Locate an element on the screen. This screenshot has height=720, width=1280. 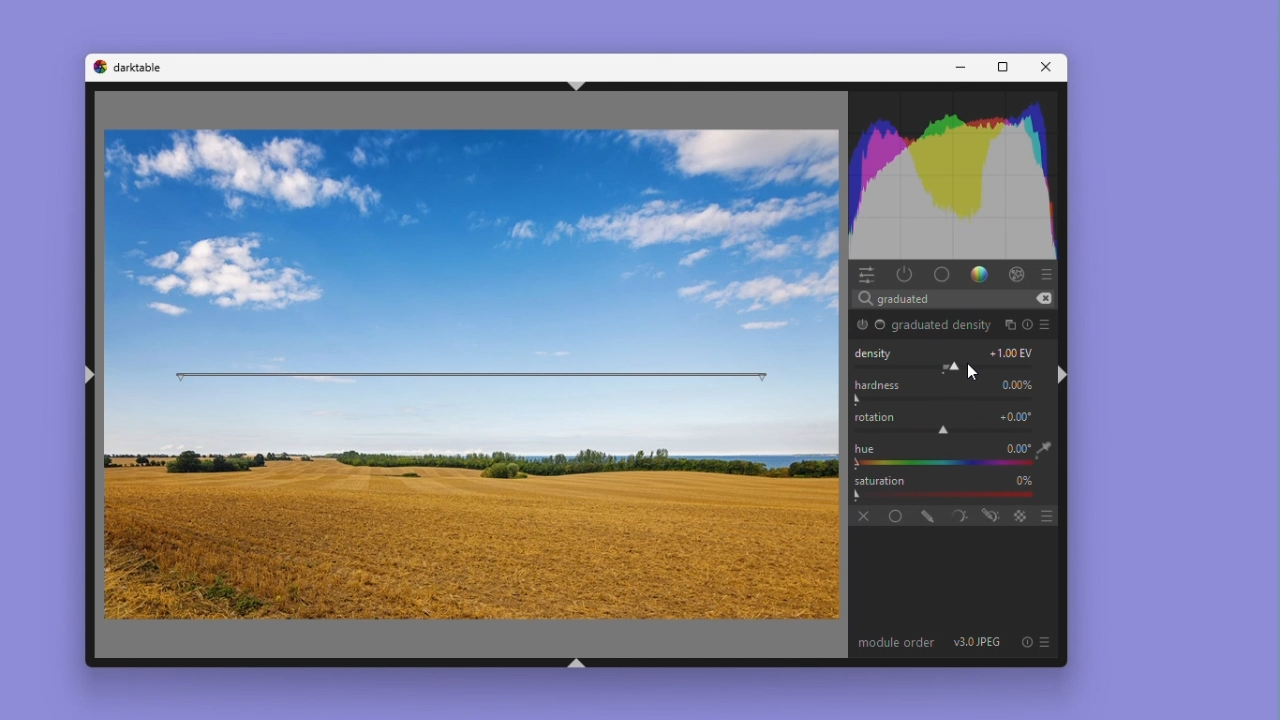
Hardness is located at coordinates (876, 383).